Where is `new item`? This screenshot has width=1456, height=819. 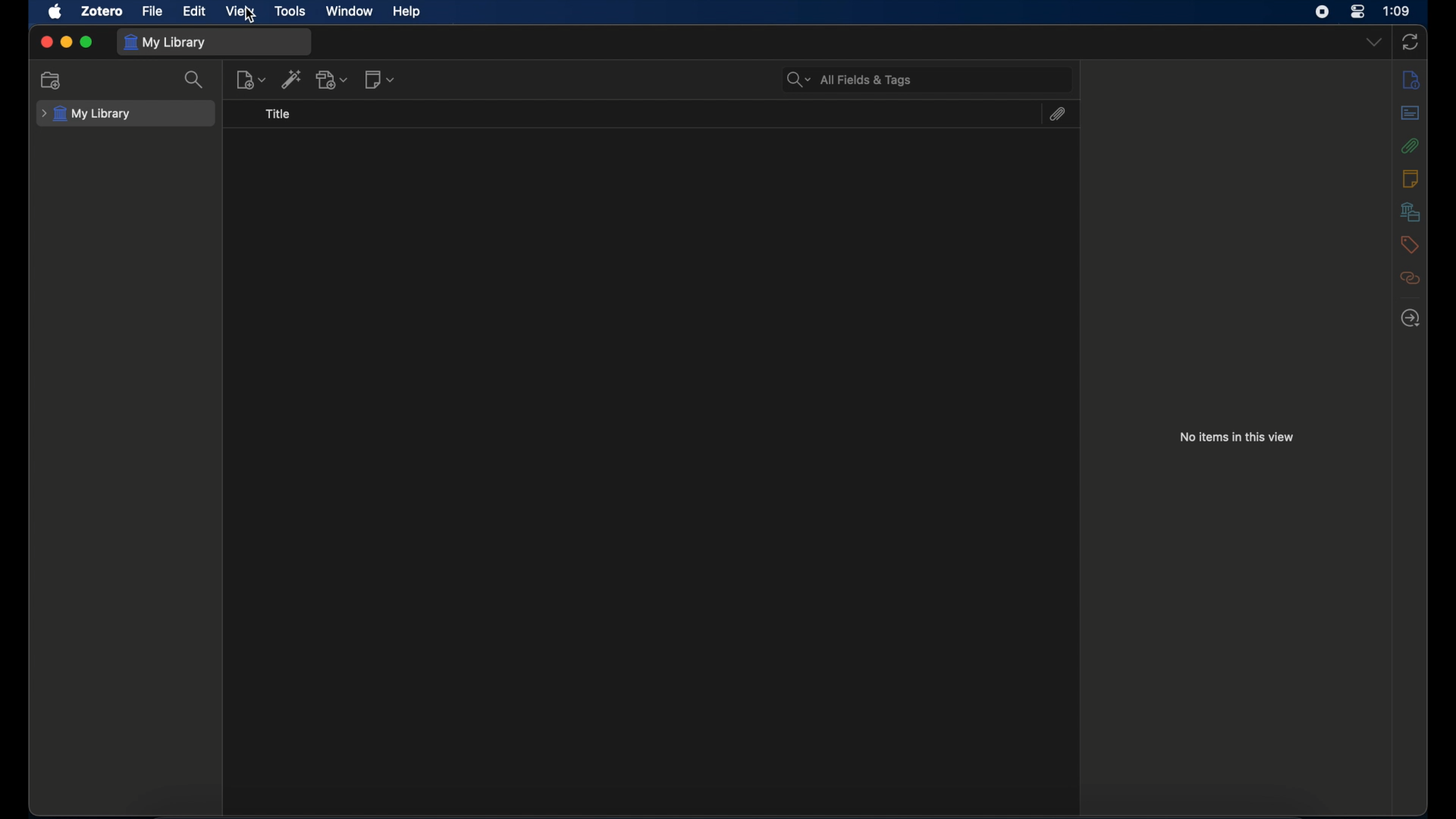
new item is located at coordinates (251, 80).